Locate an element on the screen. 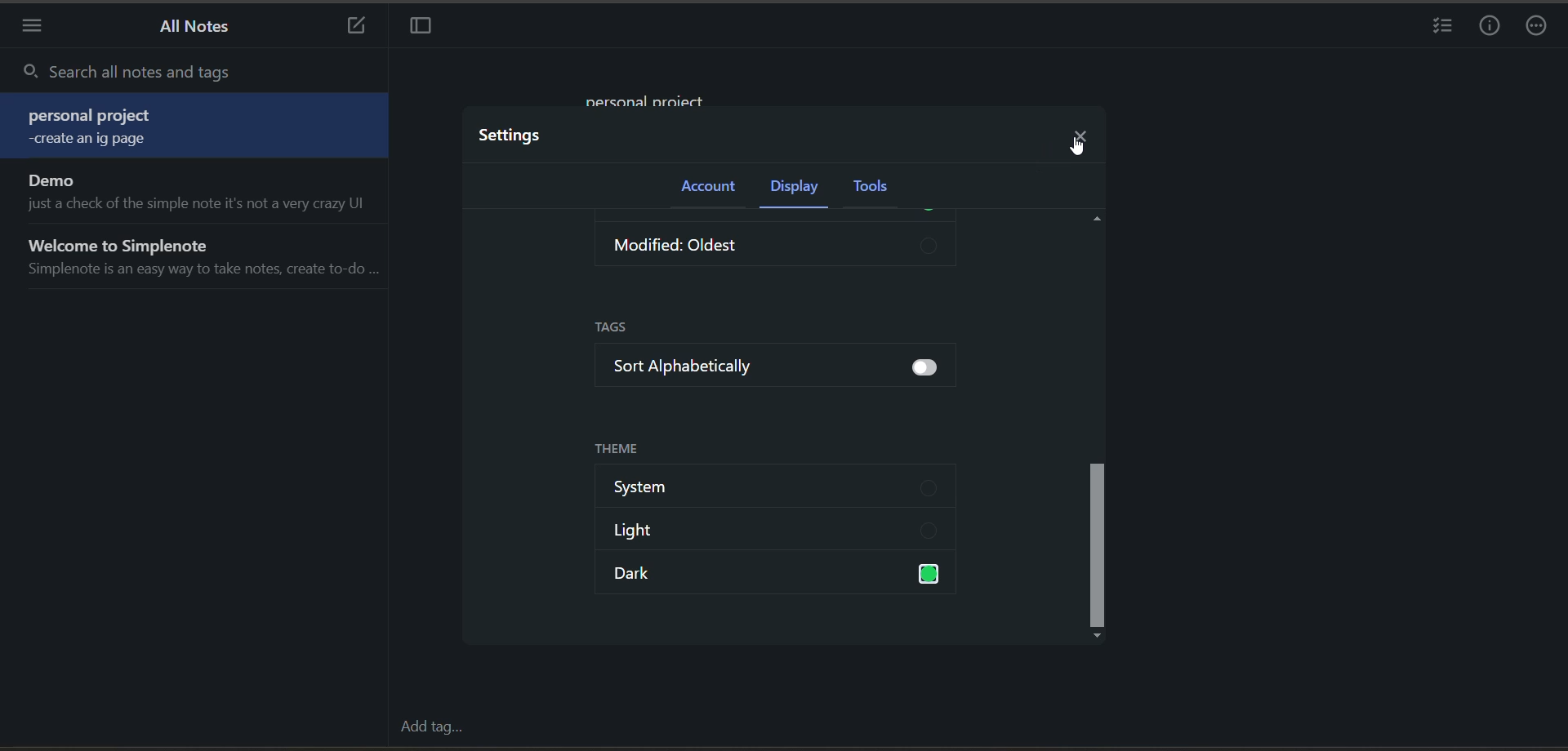 This screenshot has height=751, width=1568. system is located at coordinates (777, 489).